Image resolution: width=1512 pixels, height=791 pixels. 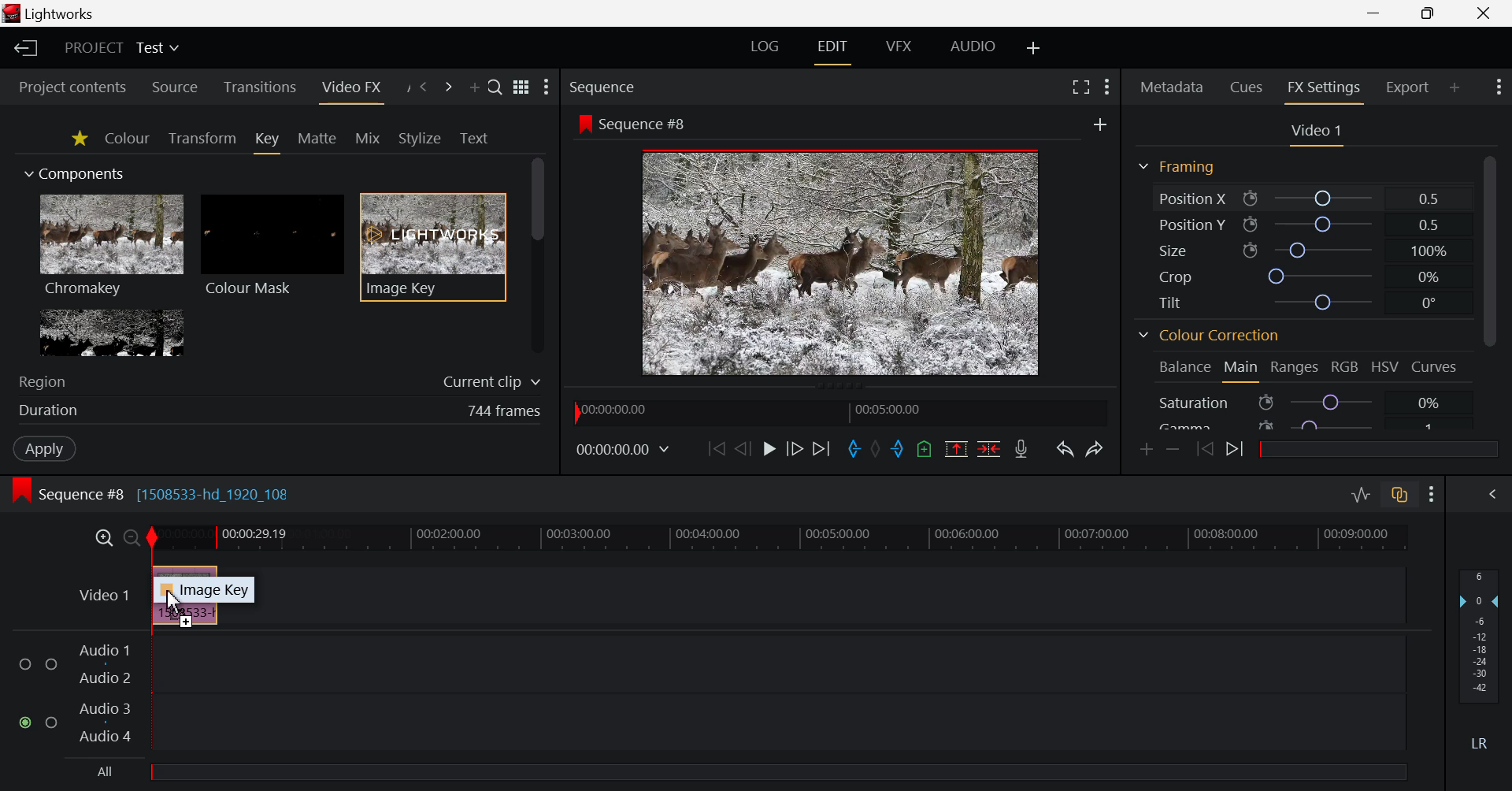 I want to click on Duration, so click(x=49, y=410).